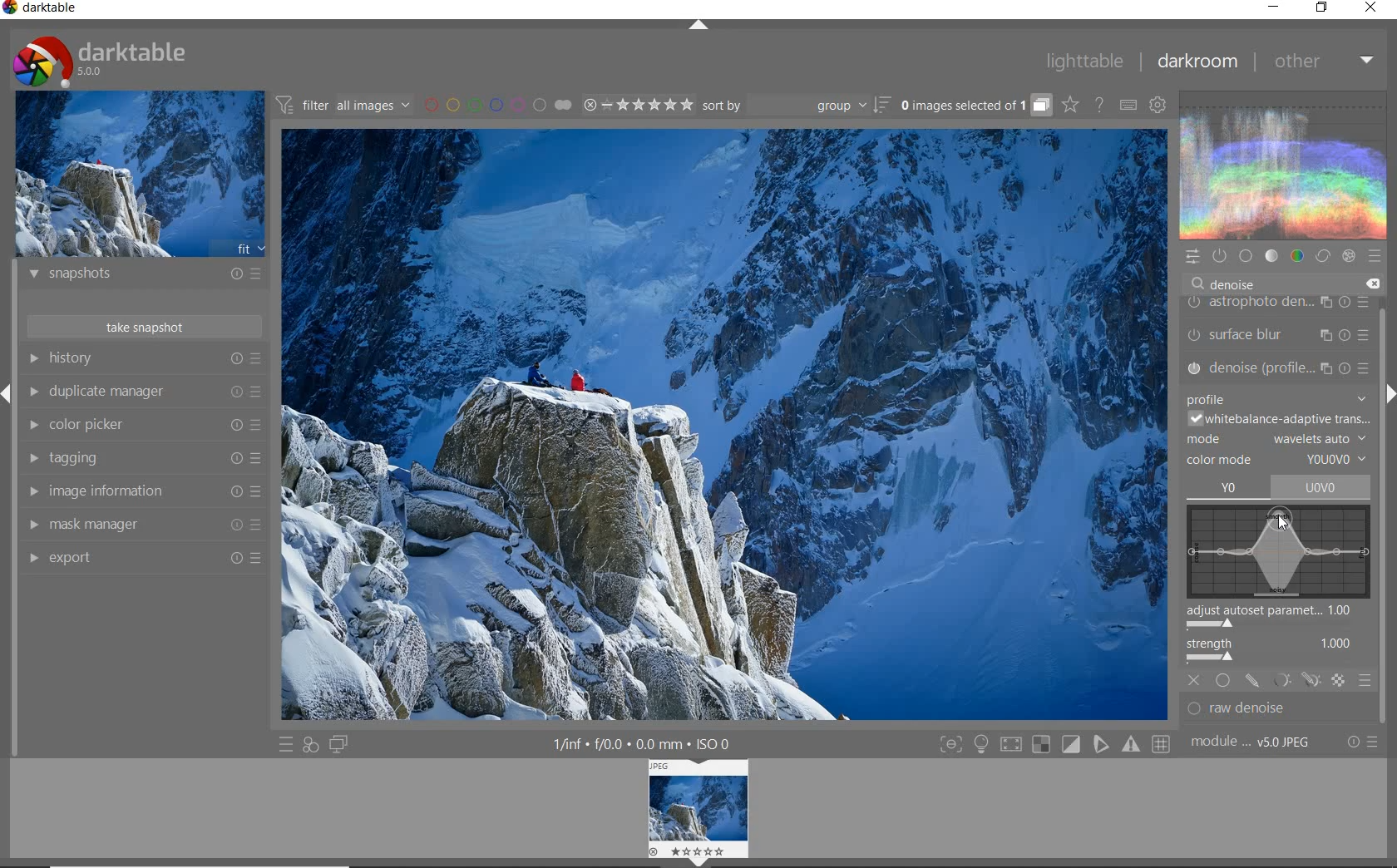  What do you see at coordinates (1365, 681) in the screenshot?
I see `BLENDING OPTIONS` at bounding box center [1365, 681].